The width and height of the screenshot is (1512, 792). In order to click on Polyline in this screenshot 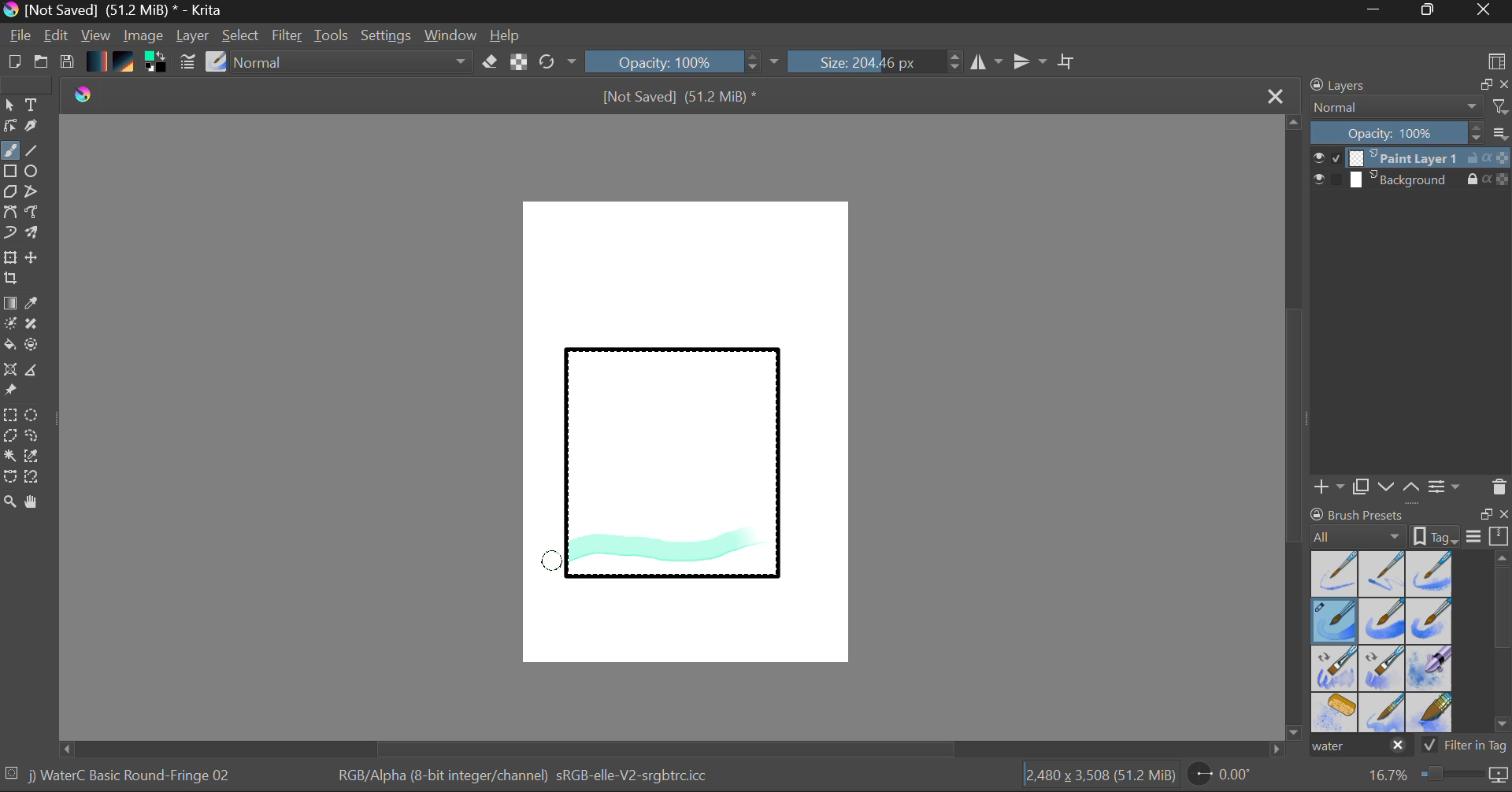, I will do `click(33, 193)`.